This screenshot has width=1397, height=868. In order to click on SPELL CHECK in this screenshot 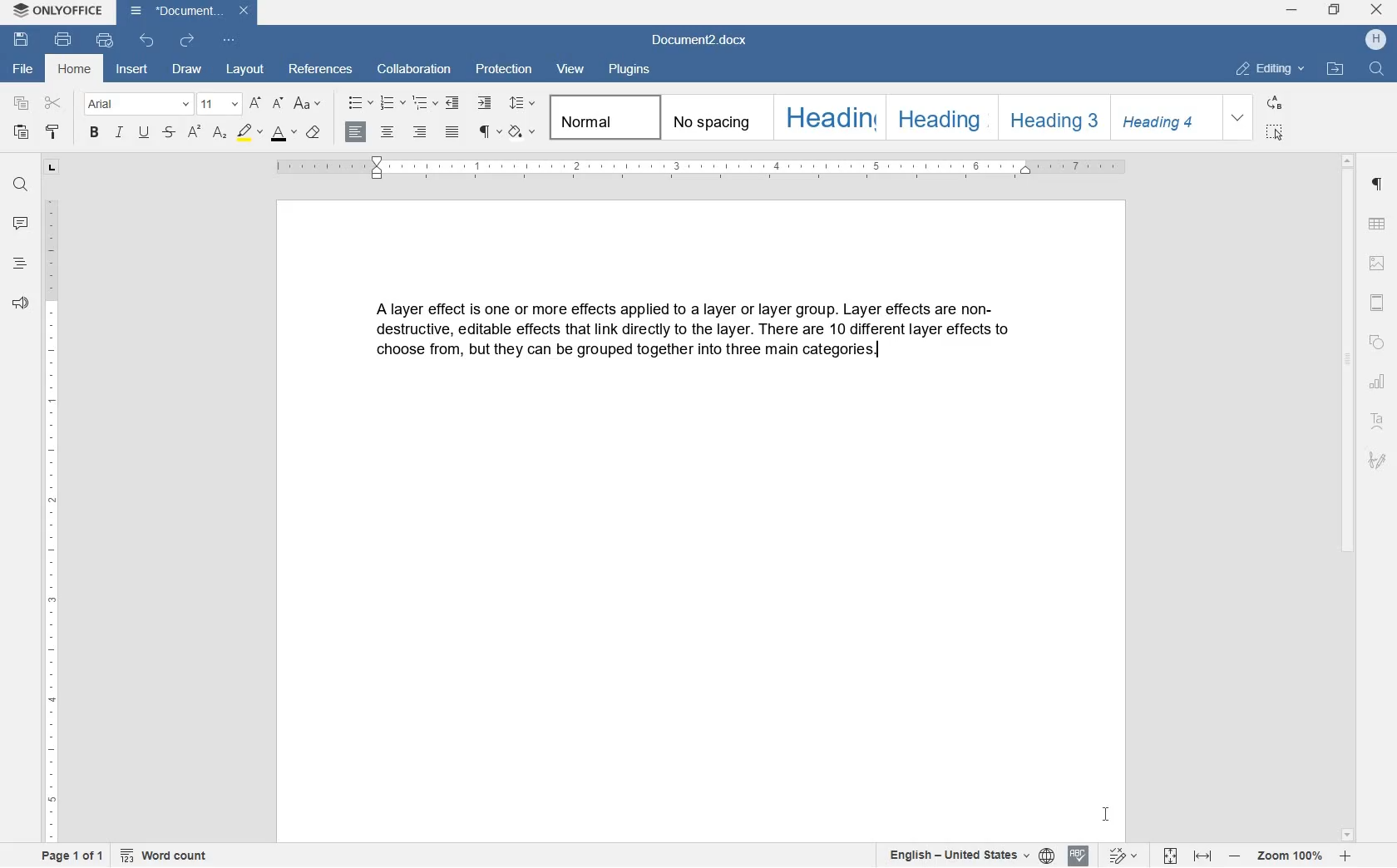, I will do `click(1077, 855)`.